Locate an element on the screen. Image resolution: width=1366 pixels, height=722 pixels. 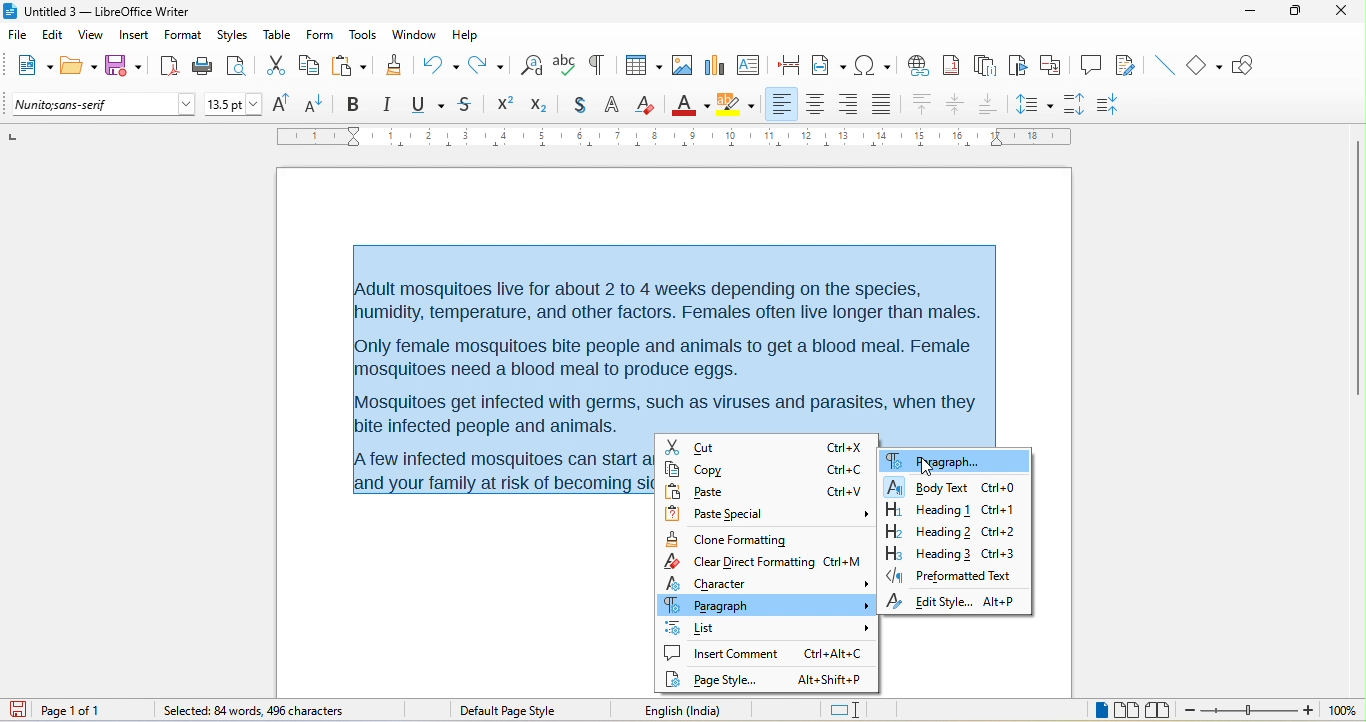
increase size is located at coordinates (278, 103).